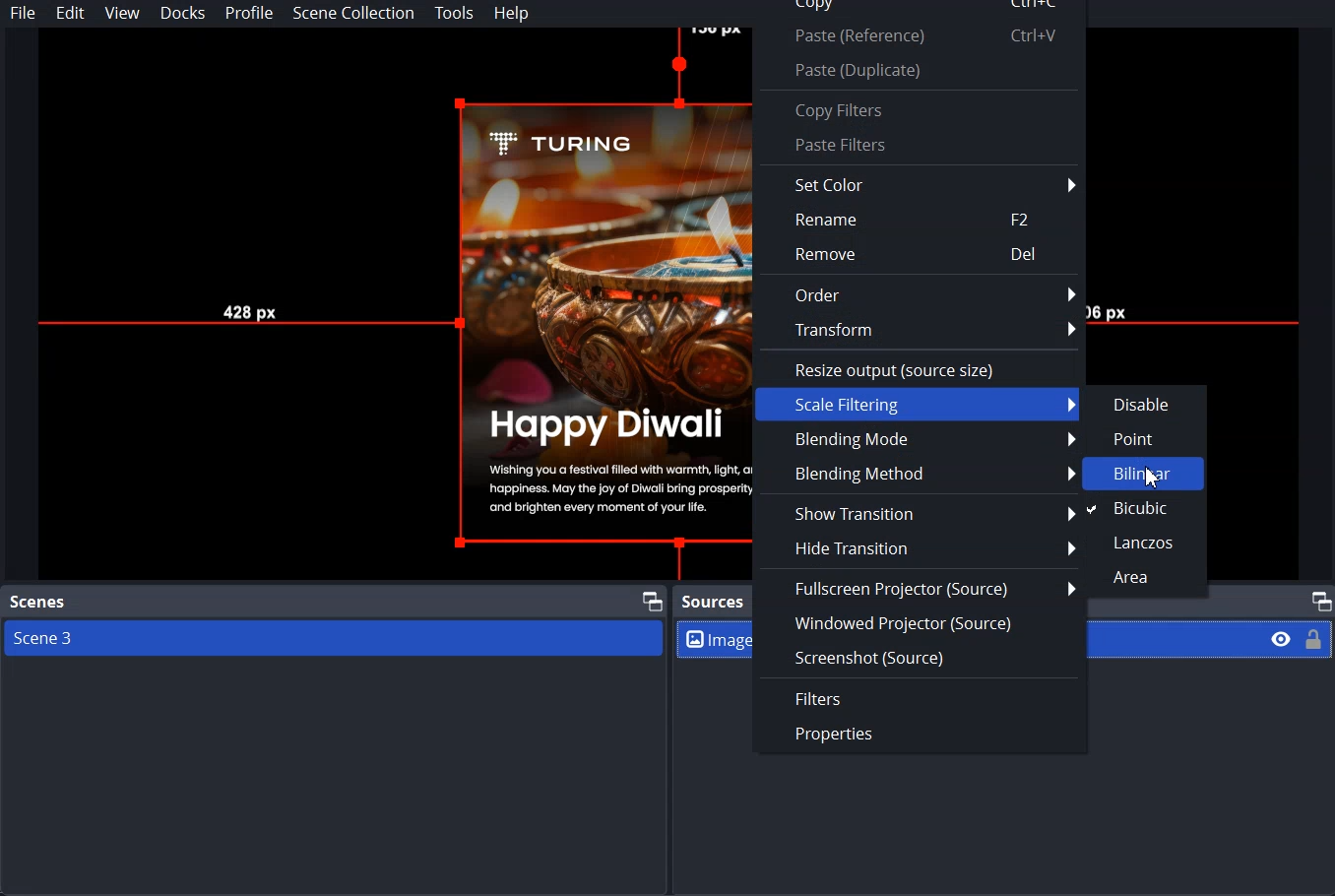 Image resolution: width=1335 pixels, height=896 pixels. I want to click on Hide transition, so click(914, 547).